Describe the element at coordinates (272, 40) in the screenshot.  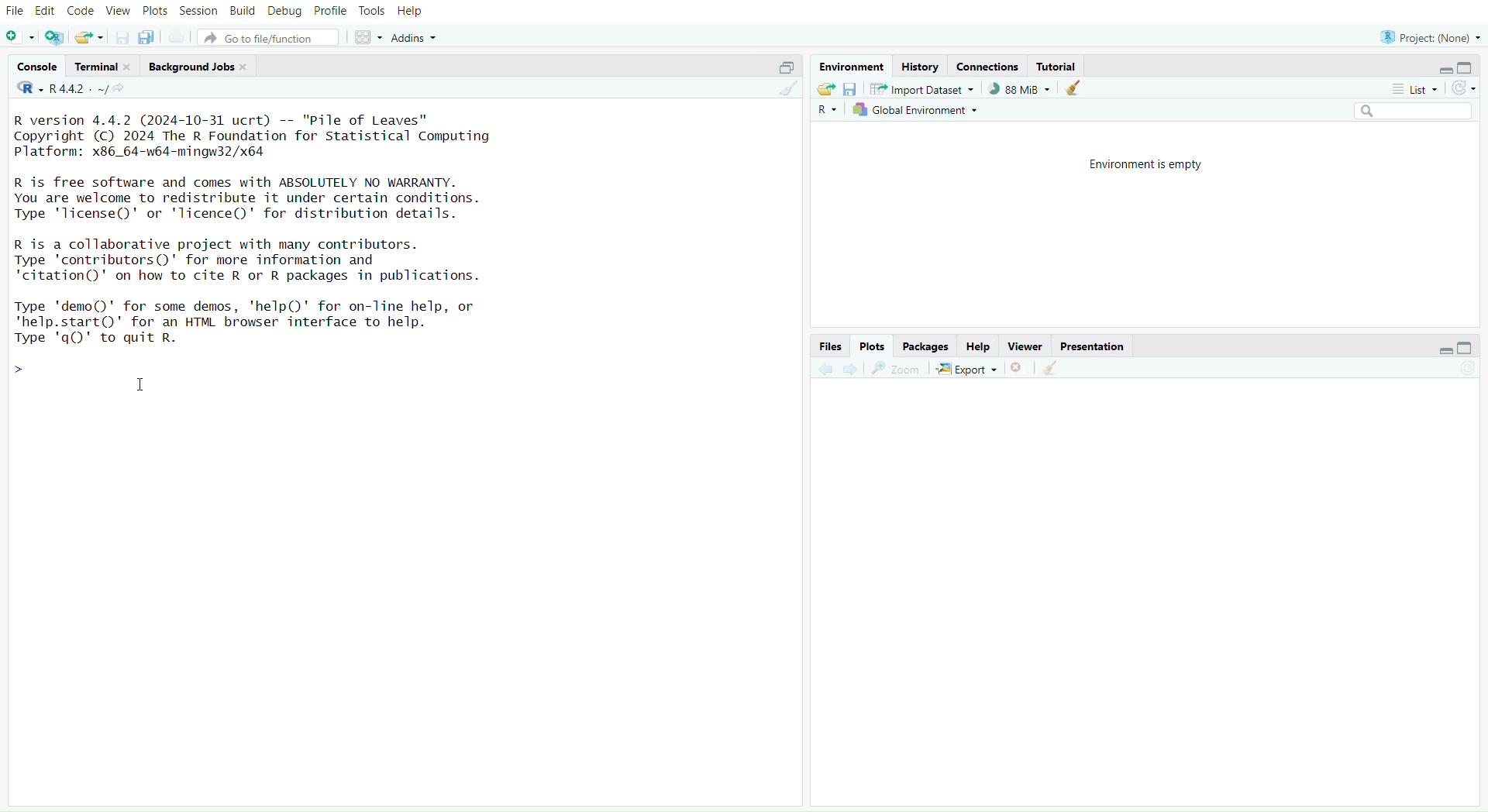
I see `go to file/function` at that location.